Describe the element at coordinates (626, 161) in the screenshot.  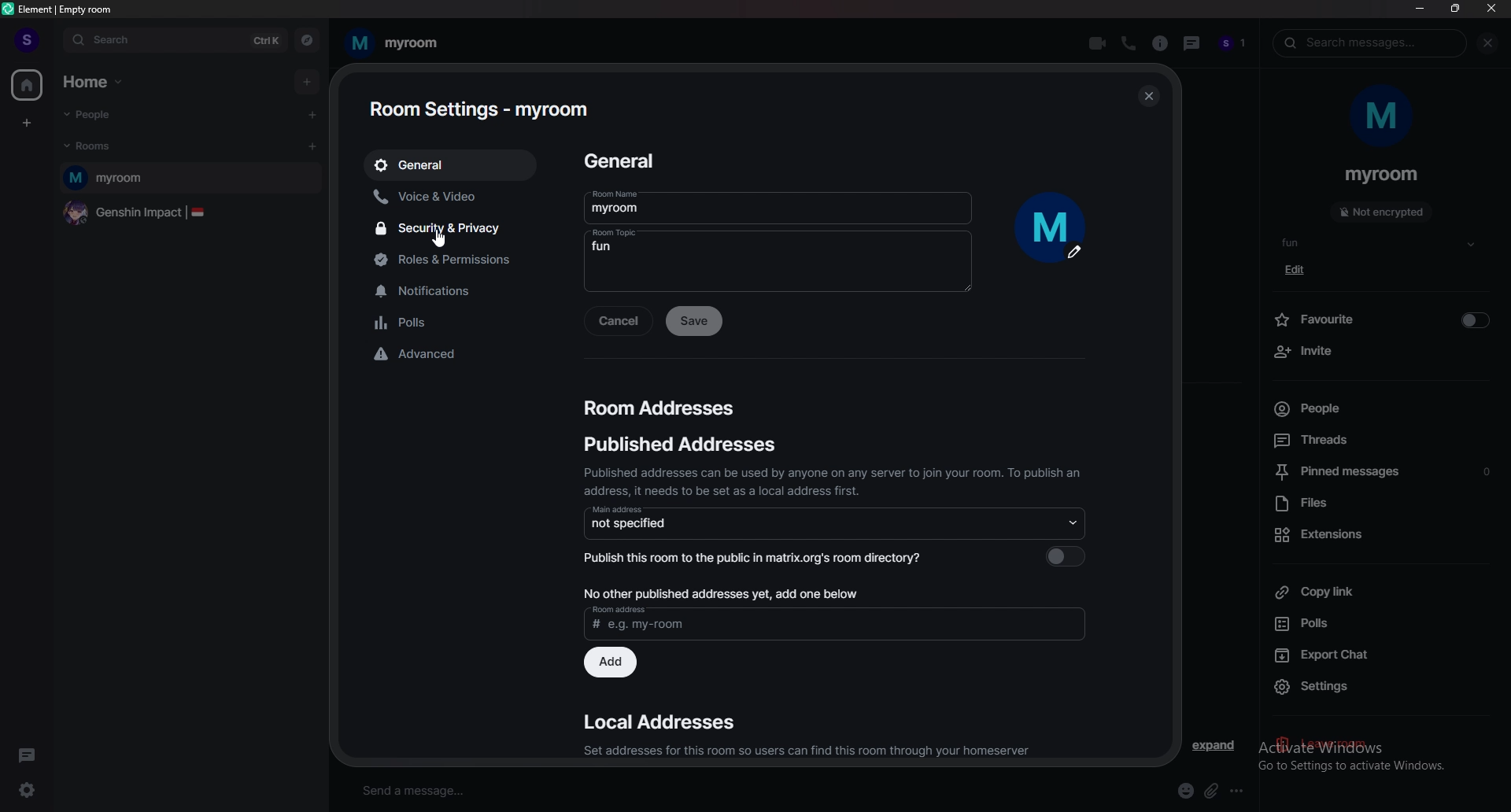
I see `general` at that location.